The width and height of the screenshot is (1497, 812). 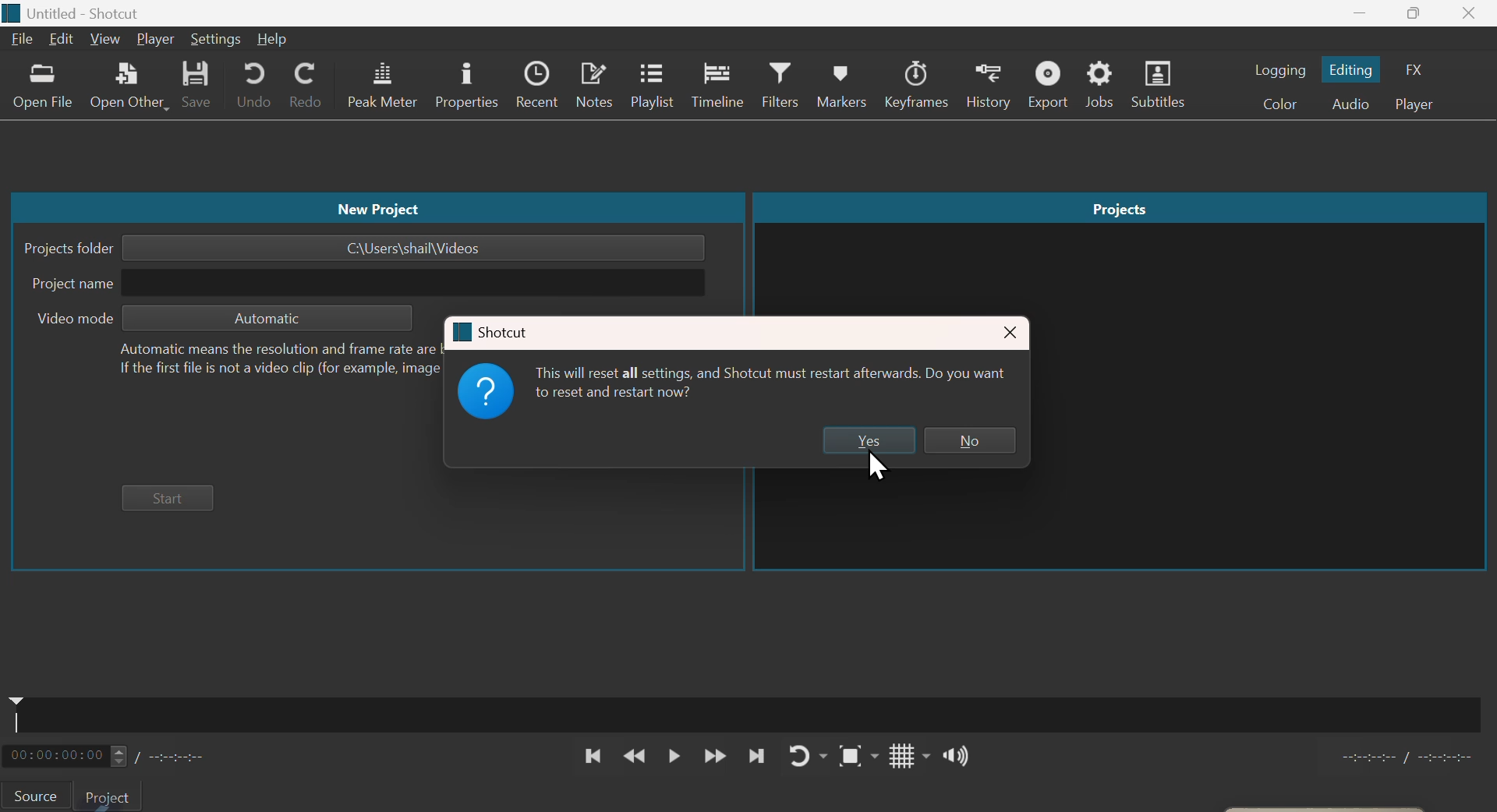 I want to click on notes, so click(x=593, y=86).